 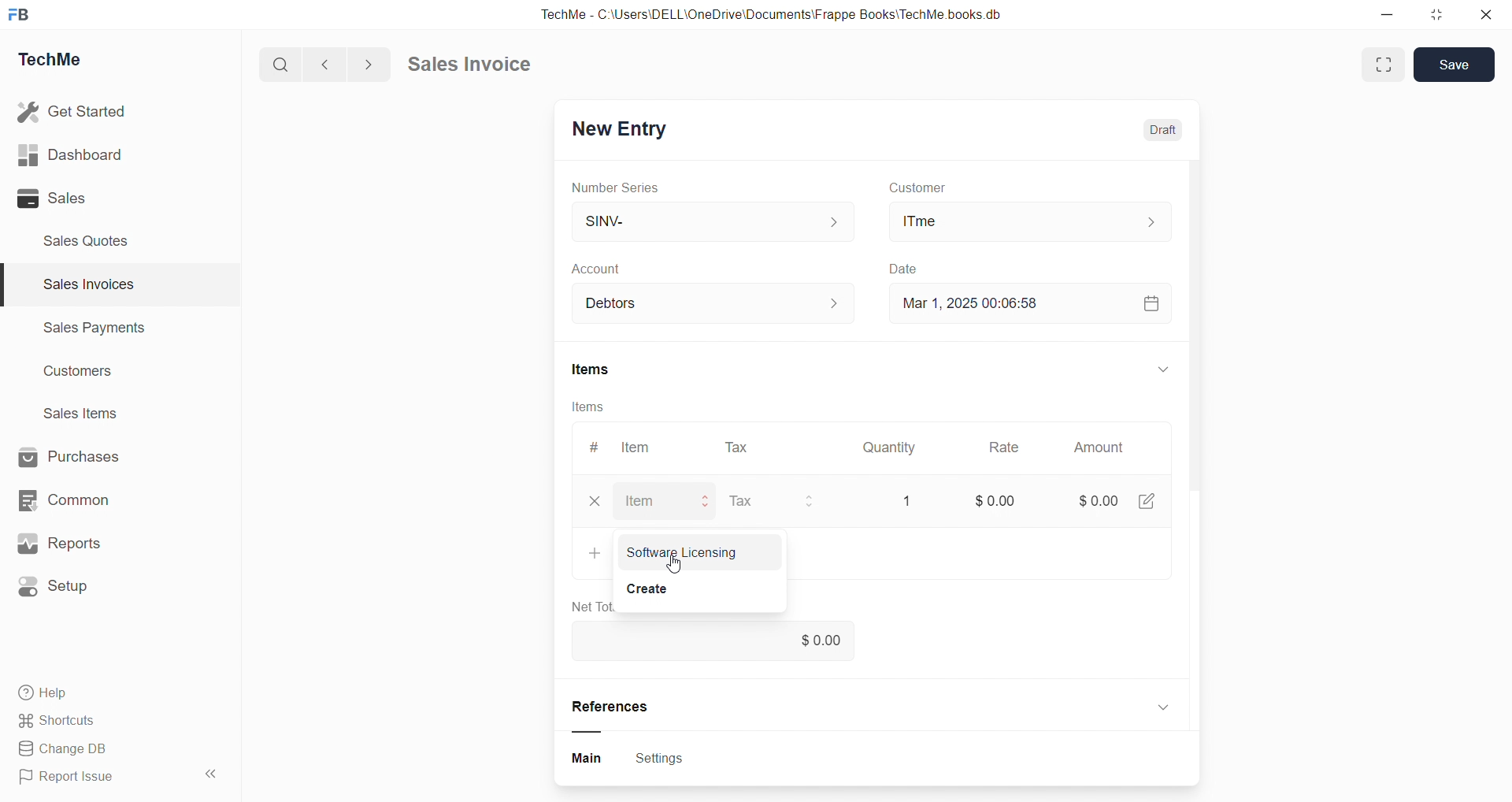 What do you see at coordinates (844, 304) in the screenshot?
I see `Increase decrease button` at bounding box center [844, 304].